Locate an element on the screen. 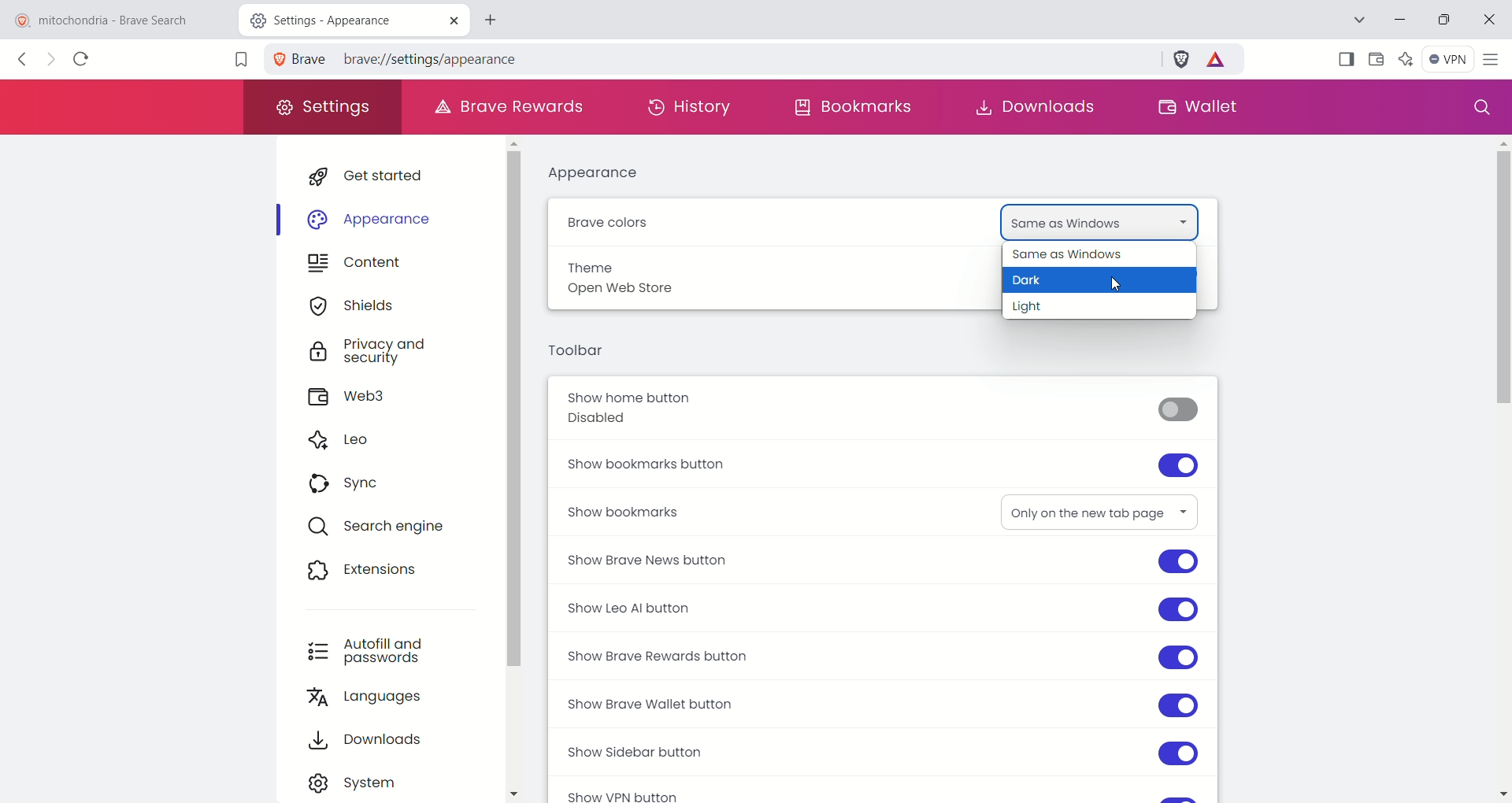 This screenshot has height=803, width=1512. leo AI is located at coordinates (1406, 56).